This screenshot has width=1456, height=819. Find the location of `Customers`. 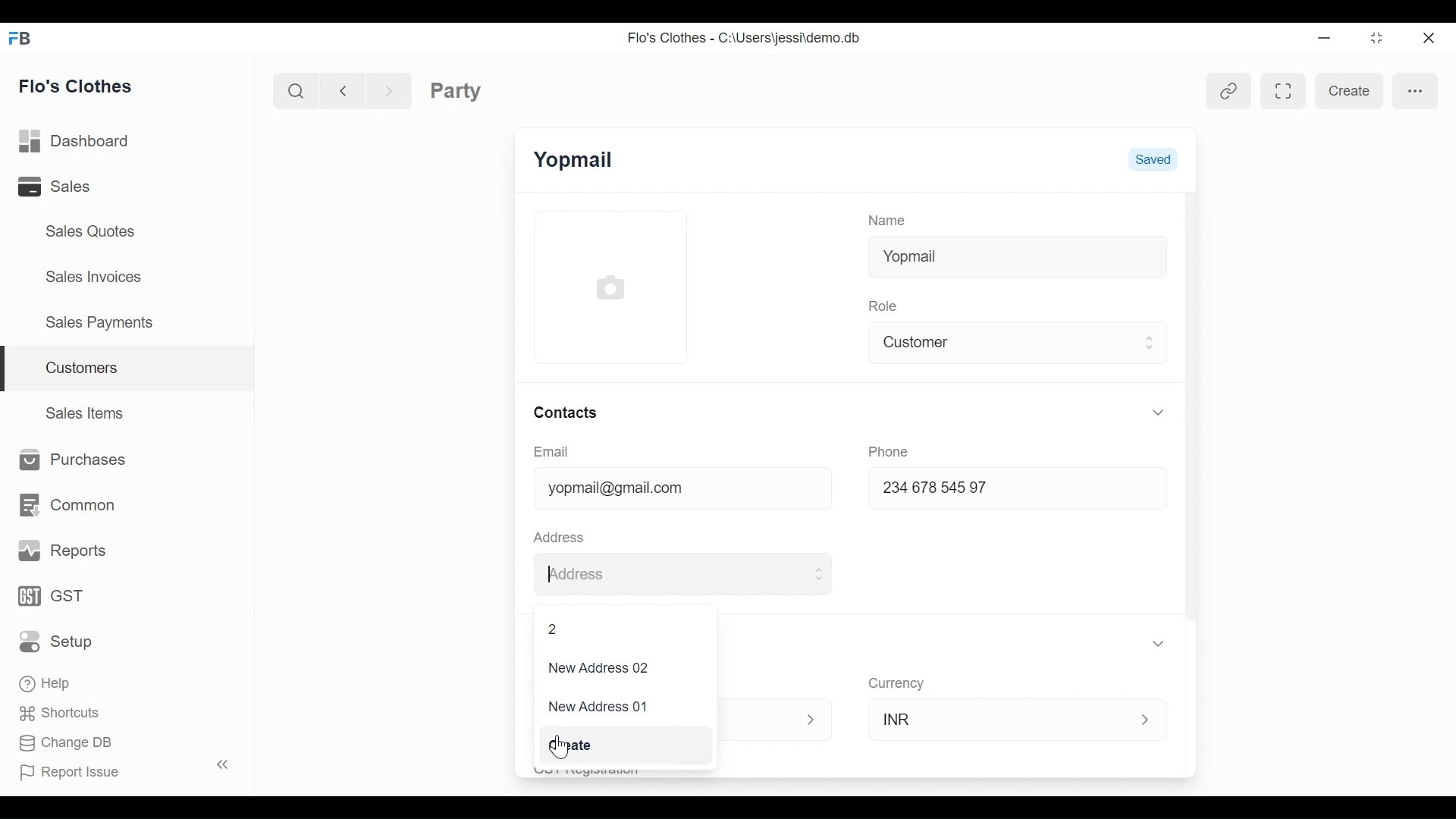

Customers is located at coordinates (129, 369).